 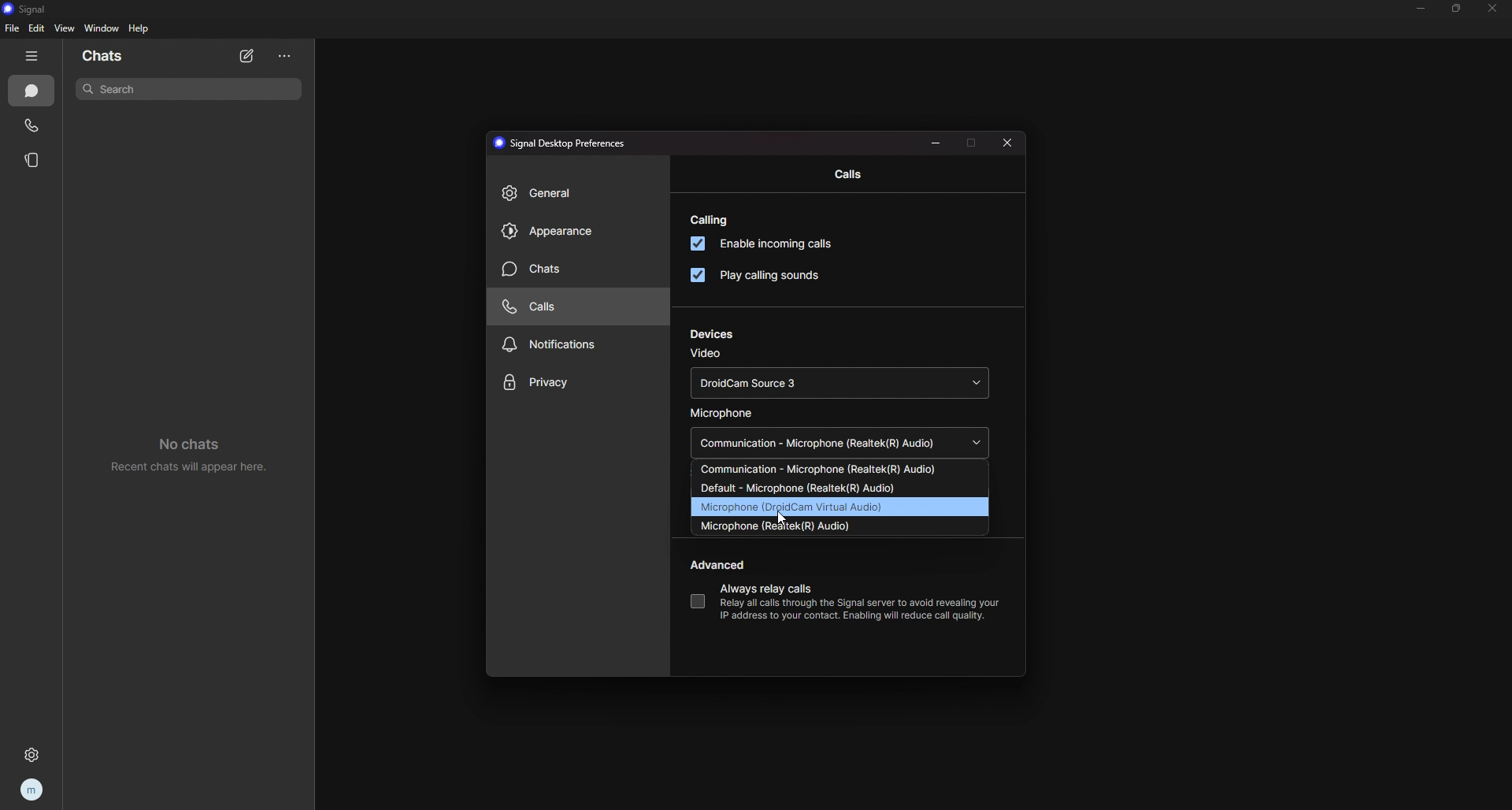 I want to click on microphone source, so click(x=842, y=444).